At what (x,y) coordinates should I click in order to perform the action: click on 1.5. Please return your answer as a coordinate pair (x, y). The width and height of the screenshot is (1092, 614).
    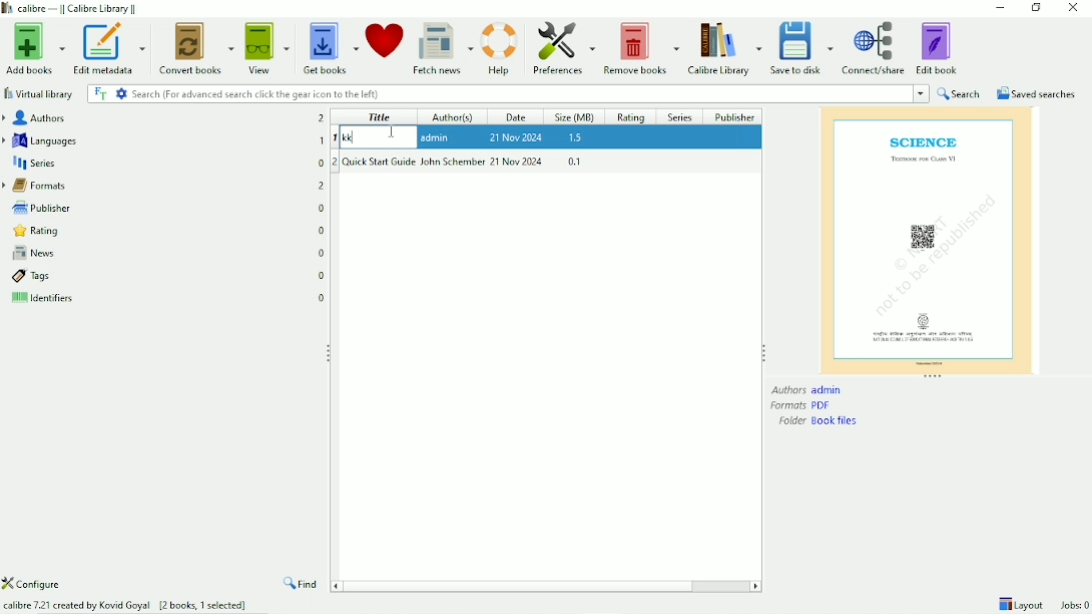
    Looking at the image, I should click on (576, 138).